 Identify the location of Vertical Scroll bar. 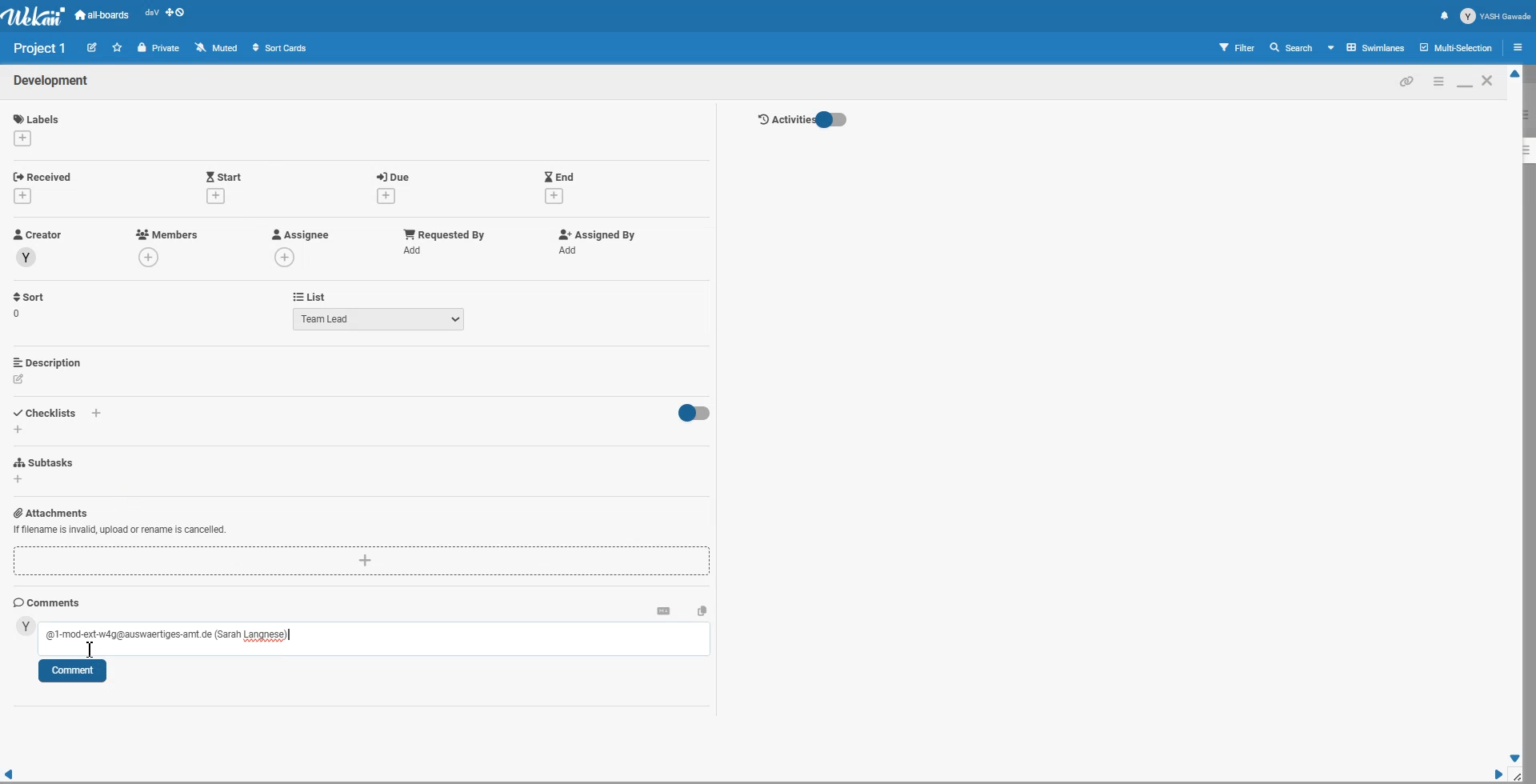
(1516, 416).